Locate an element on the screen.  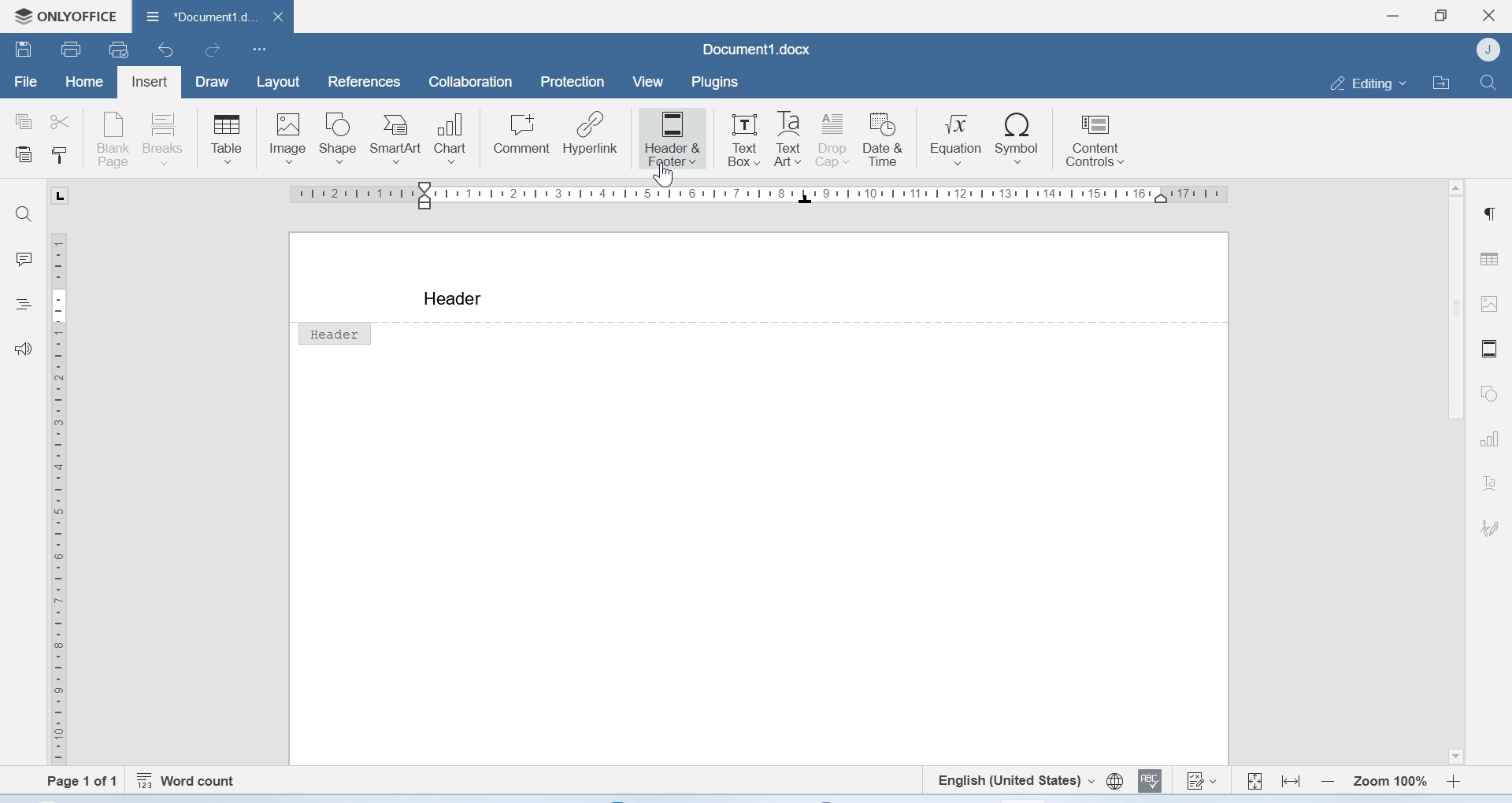
Image is located at coordinates (287, 137).